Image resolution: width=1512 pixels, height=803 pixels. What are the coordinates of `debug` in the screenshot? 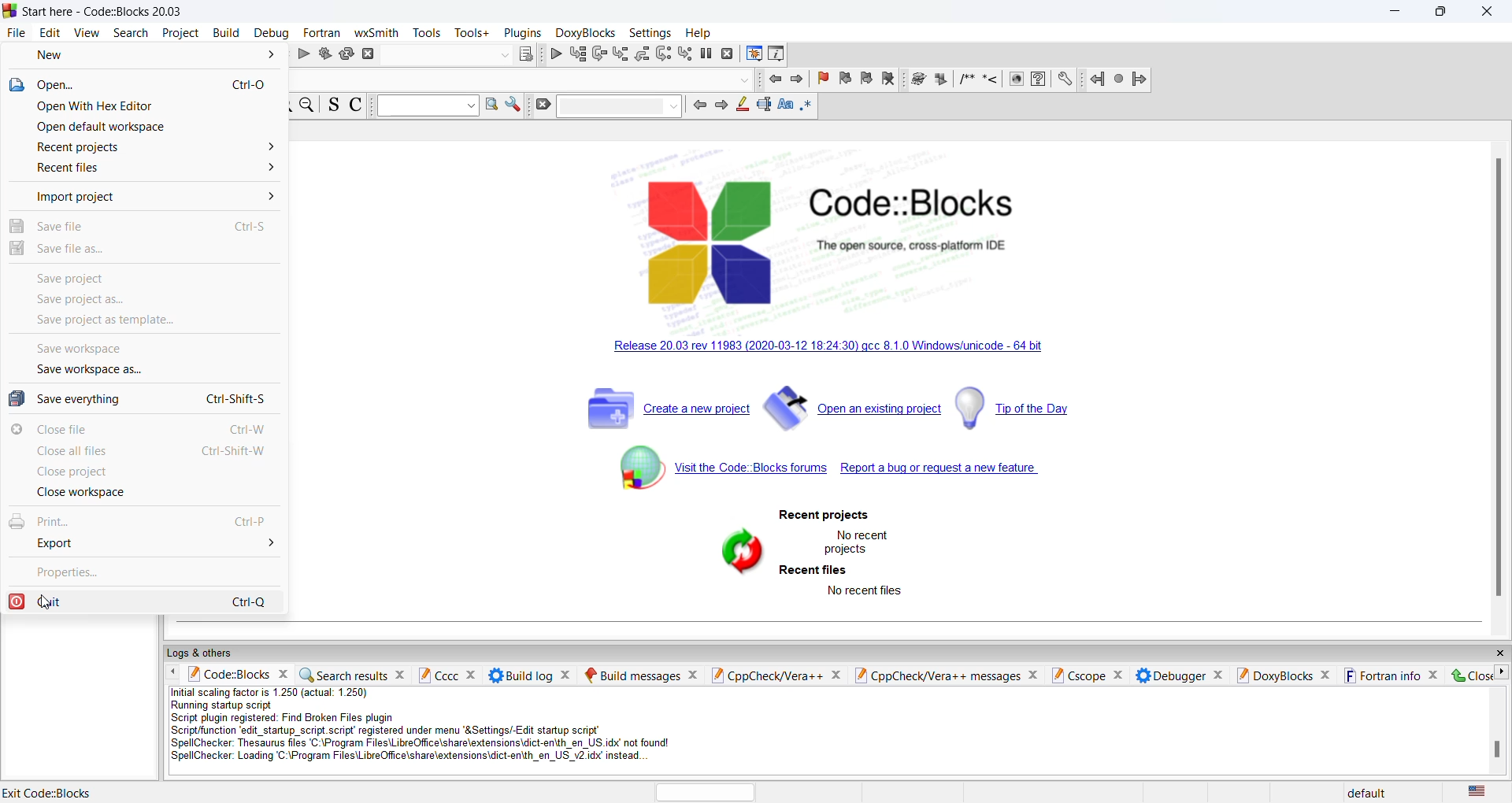 It's located at (555, 54).